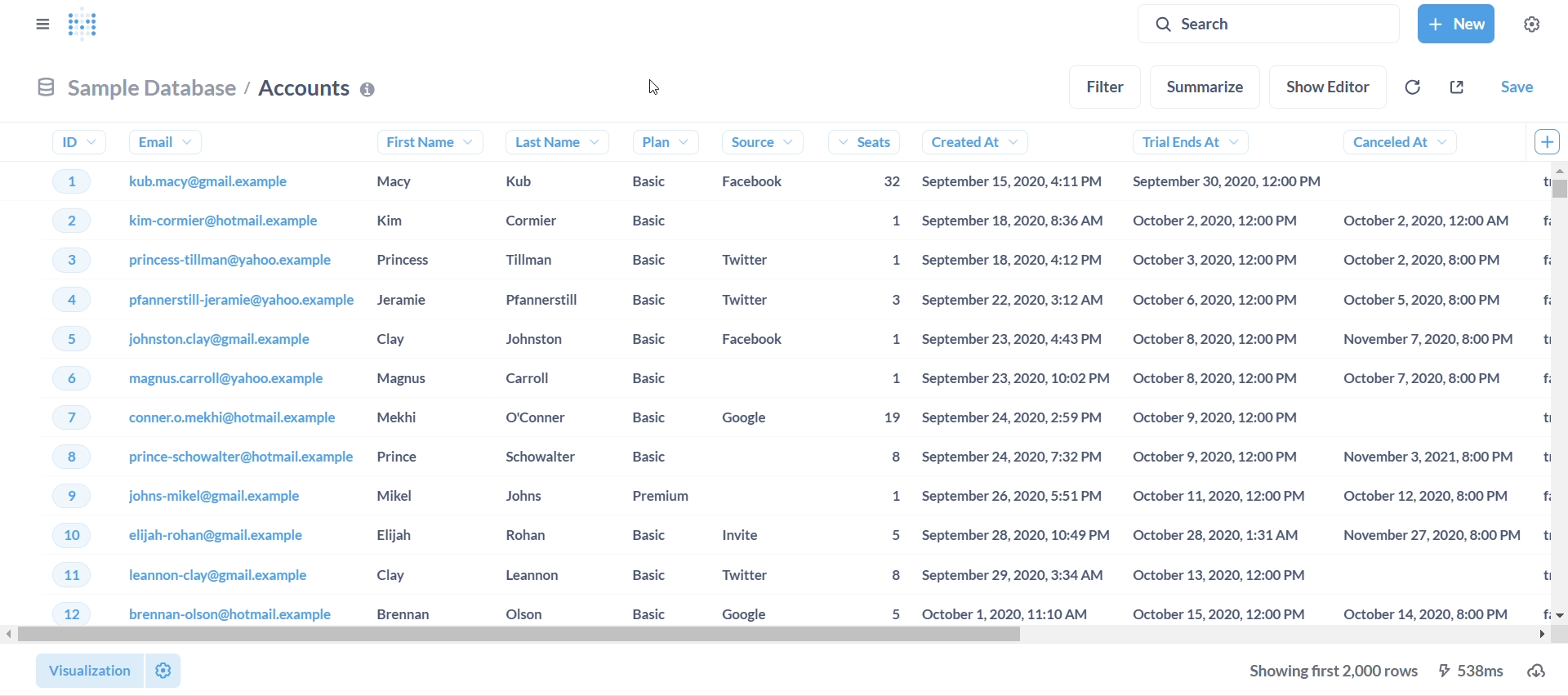 The image size is (1568, 696). I want to click on share, so click(1455, 87).